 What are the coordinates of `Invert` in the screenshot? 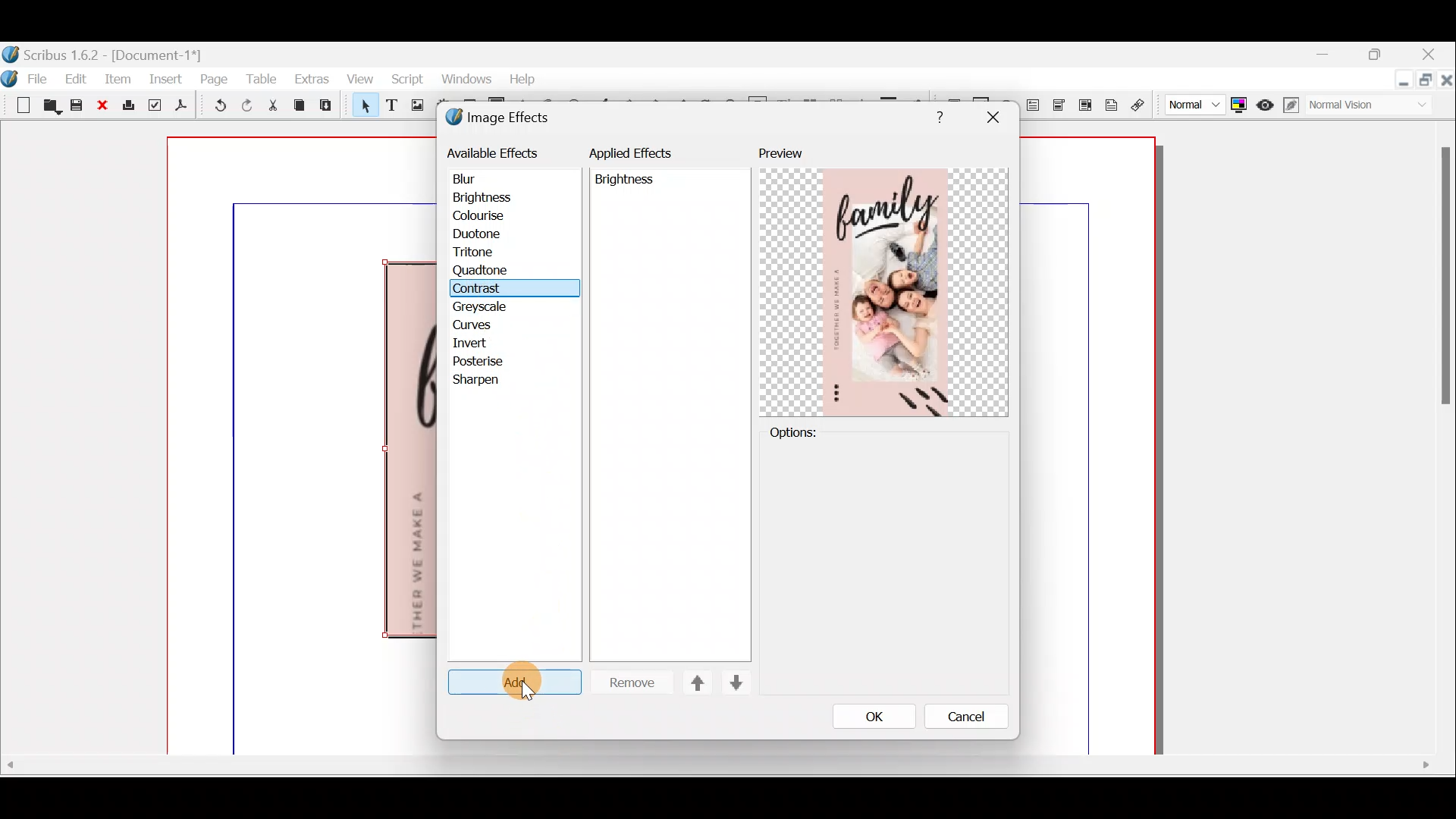 It's located at (484, 344).